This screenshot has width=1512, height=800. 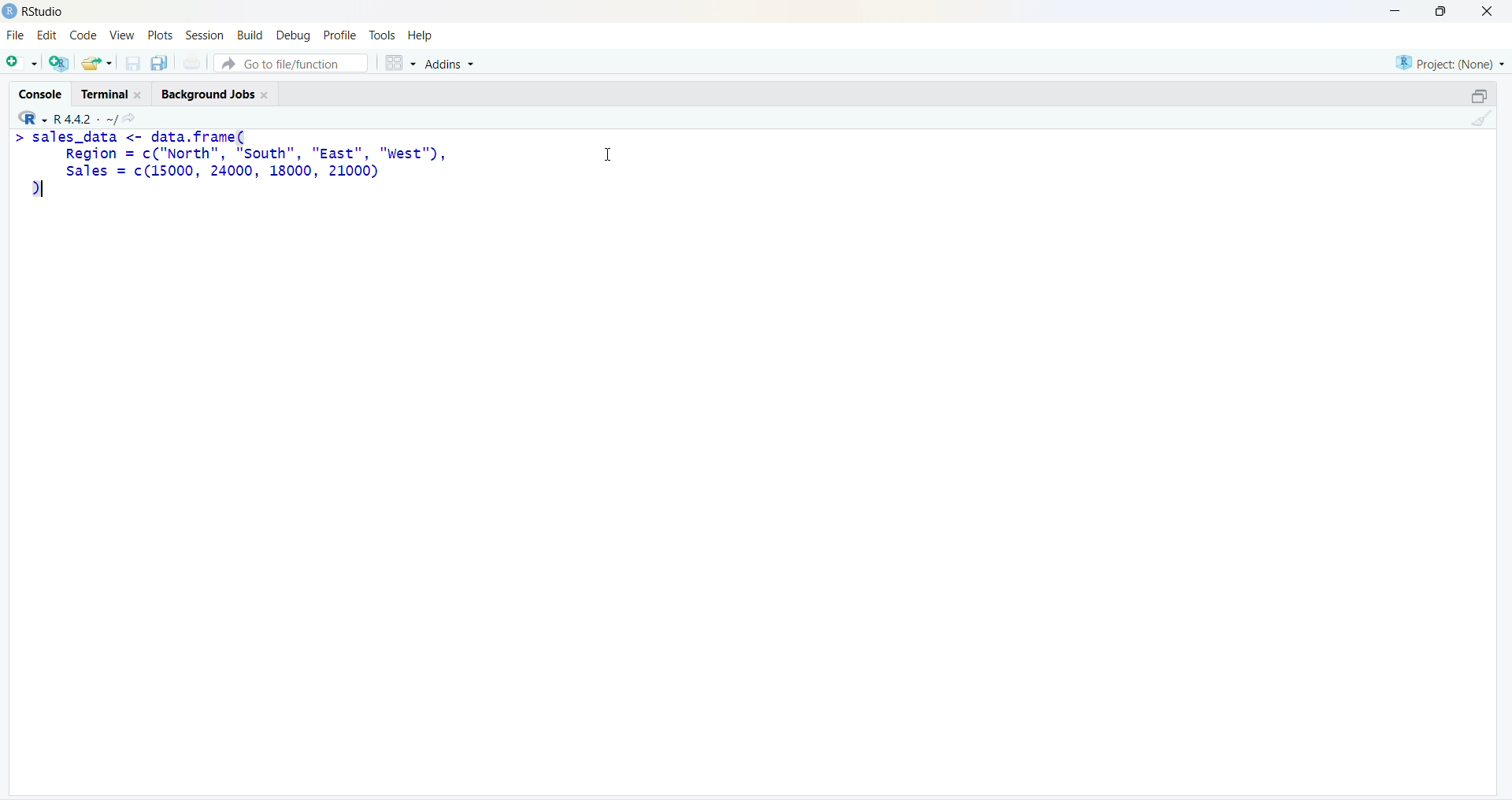 I want to click on clear, so click(x=1485, y=122).